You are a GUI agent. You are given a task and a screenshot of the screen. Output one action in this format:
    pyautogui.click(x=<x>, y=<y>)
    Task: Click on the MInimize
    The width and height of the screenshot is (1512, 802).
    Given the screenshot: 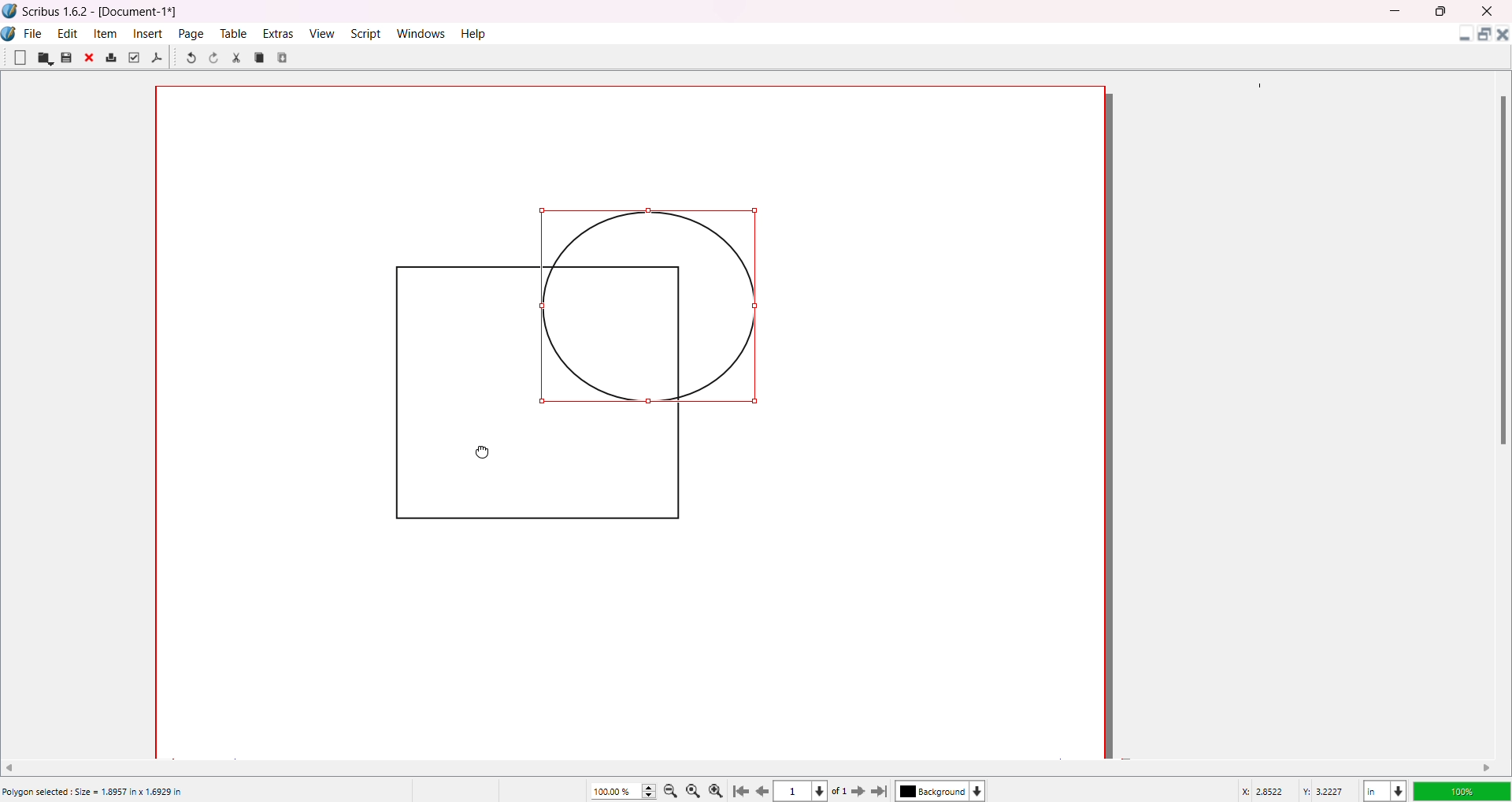 What is the action you would take?
    pyautogui.click(x=1398, y=11)
    